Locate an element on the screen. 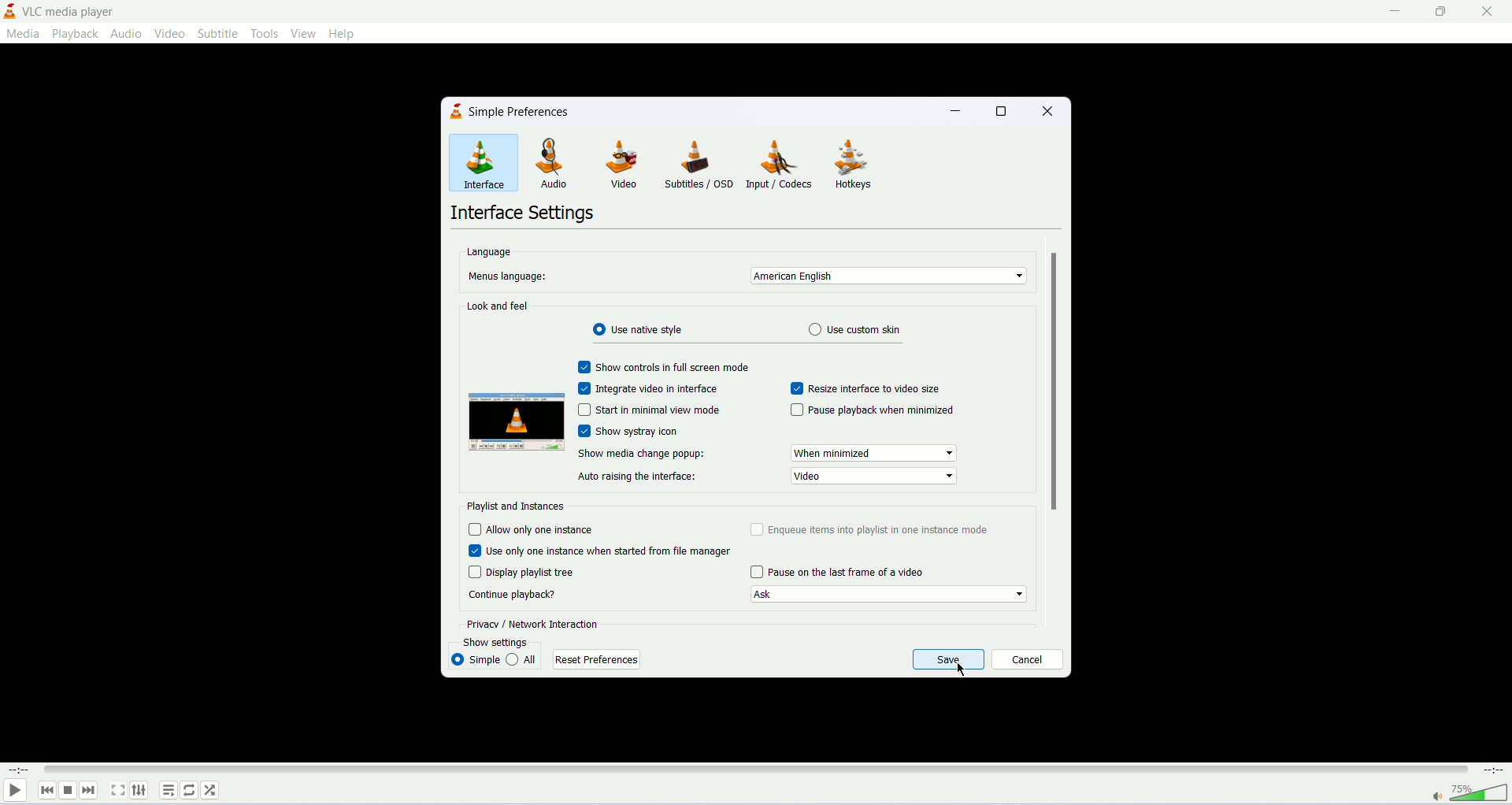 The height and width of the screenshot is (805, 1512). display playlist tree is located at coordinates (523, 572).